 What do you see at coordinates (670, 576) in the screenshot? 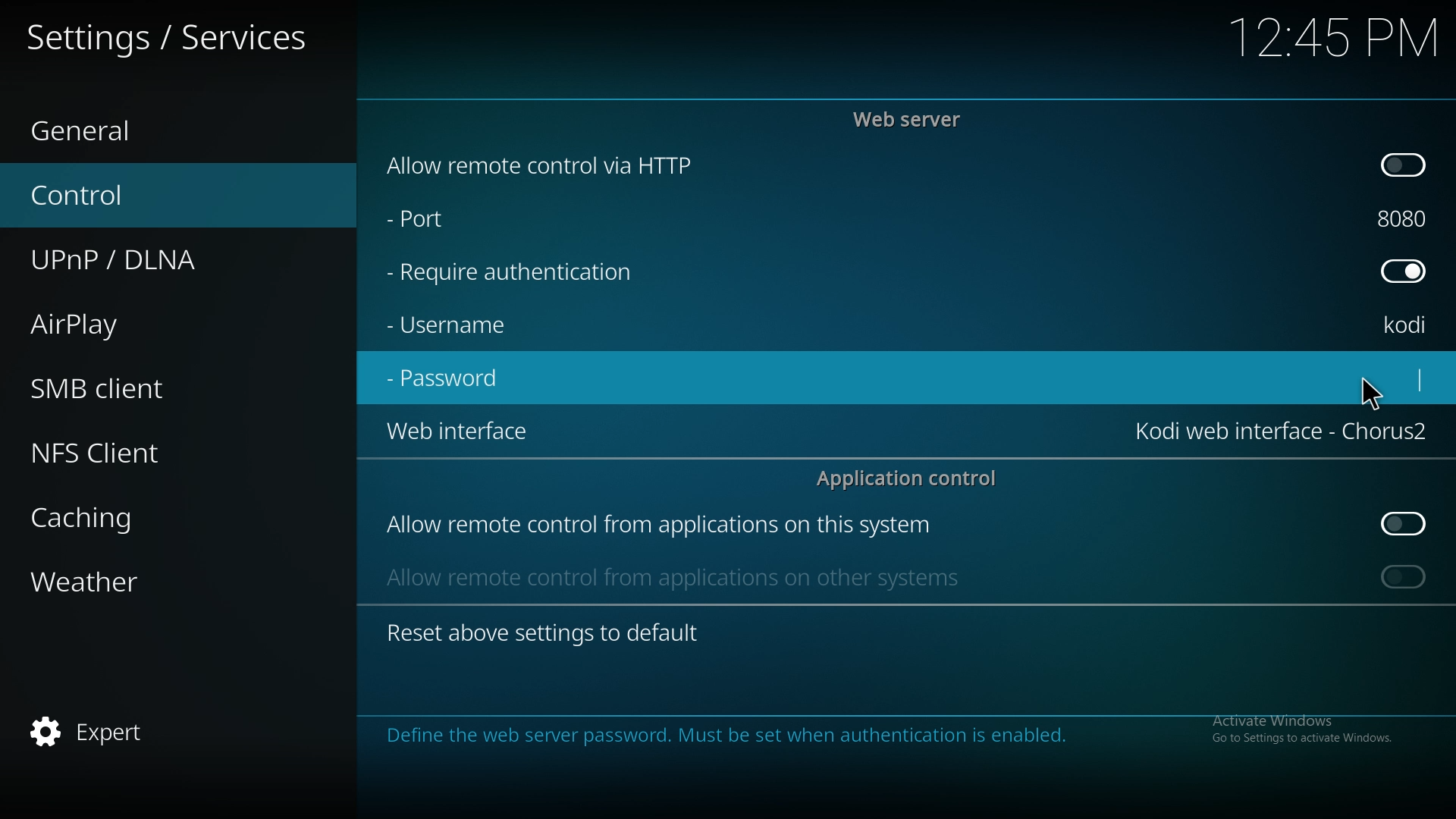
I see `allow remote control from other system` at bounding box center [670, 576].